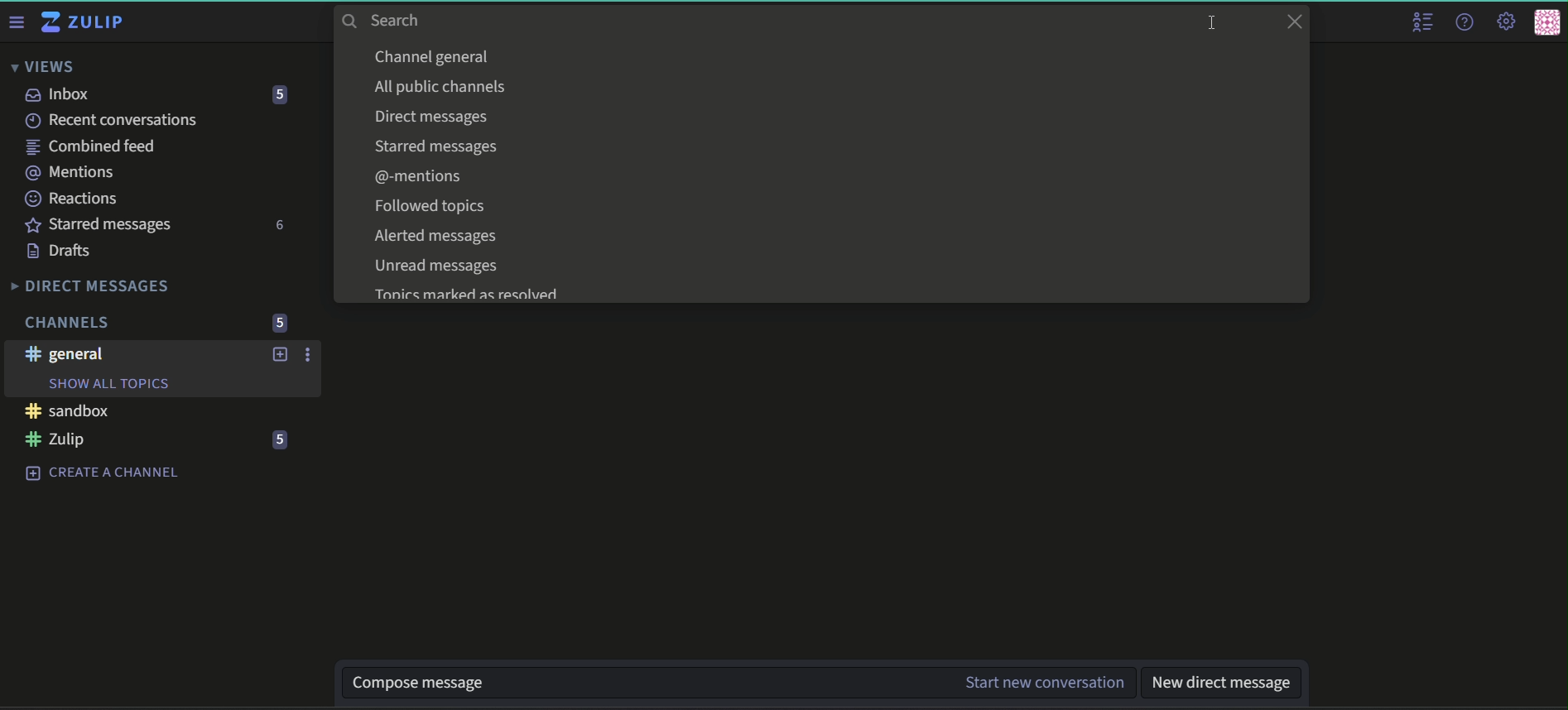 The height and width of the screenshot is (710, 1568). What do you see at coordinates (90, 146) in the screenshot?
I see `combined feed` at bounding box center [90, 146].